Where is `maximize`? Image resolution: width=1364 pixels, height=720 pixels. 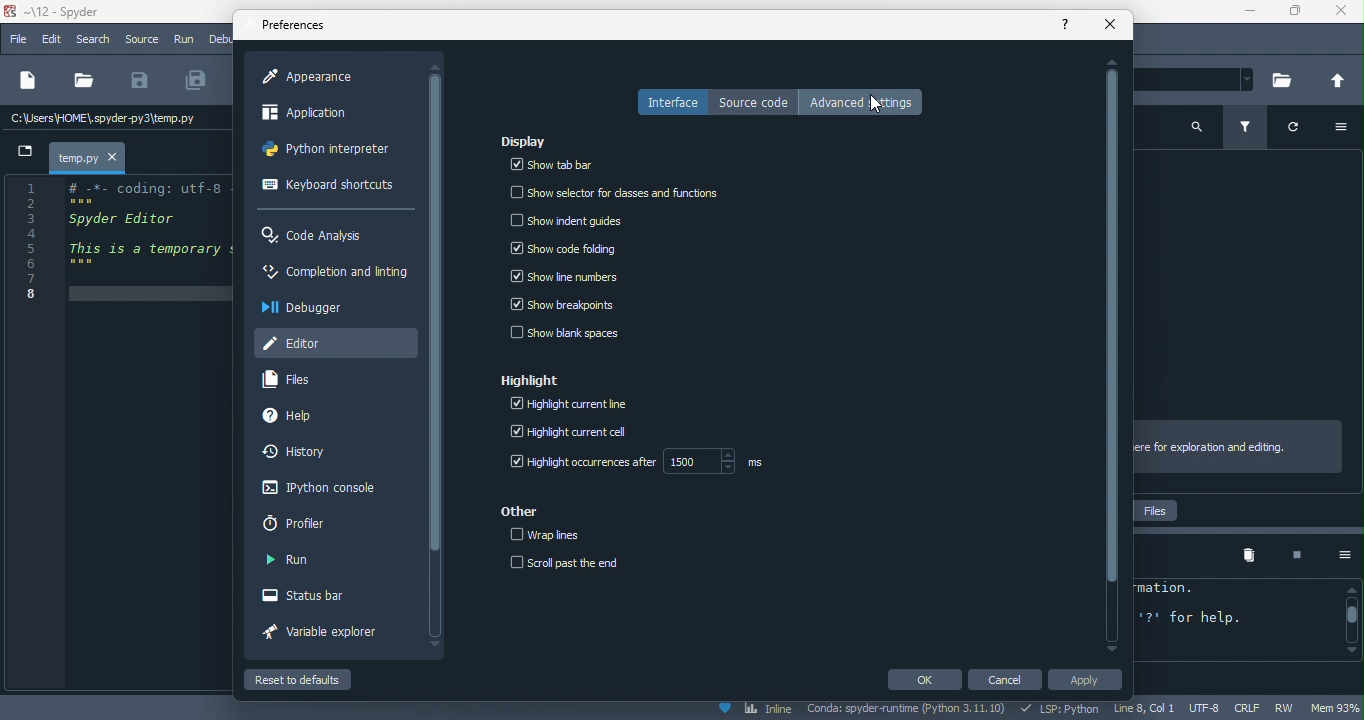 maximize is located at coordinates (1293, 14).